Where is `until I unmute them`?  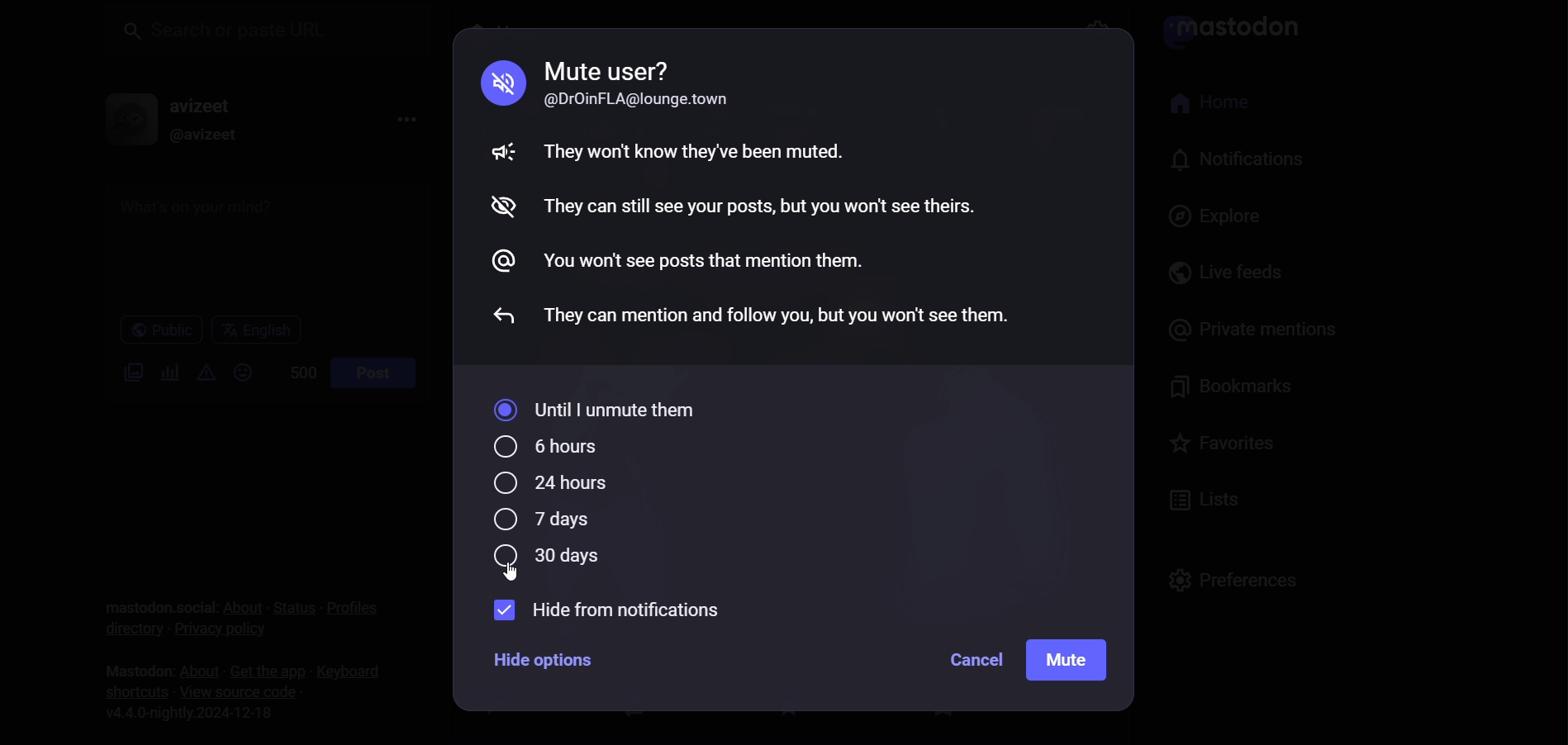 until I unmute them is located at coordinates (590, 412).